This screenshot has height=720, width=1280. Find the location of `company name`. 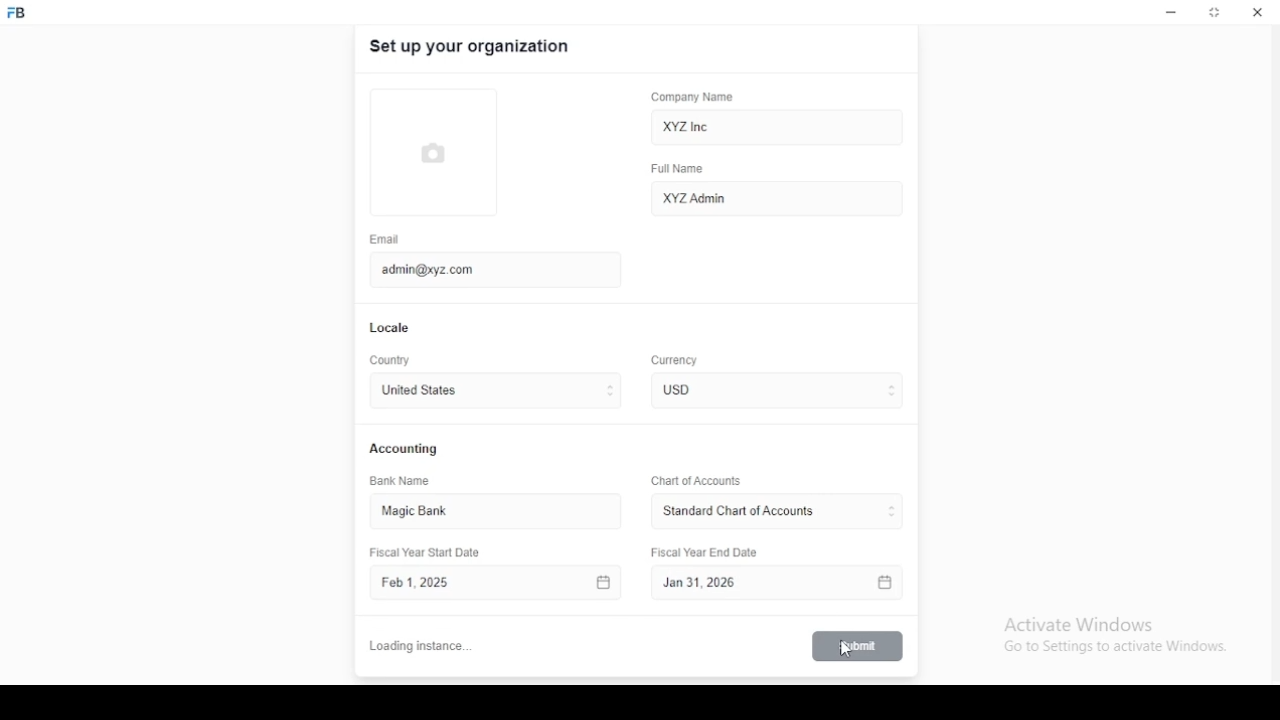

company name is located at coordinates (692, 97).